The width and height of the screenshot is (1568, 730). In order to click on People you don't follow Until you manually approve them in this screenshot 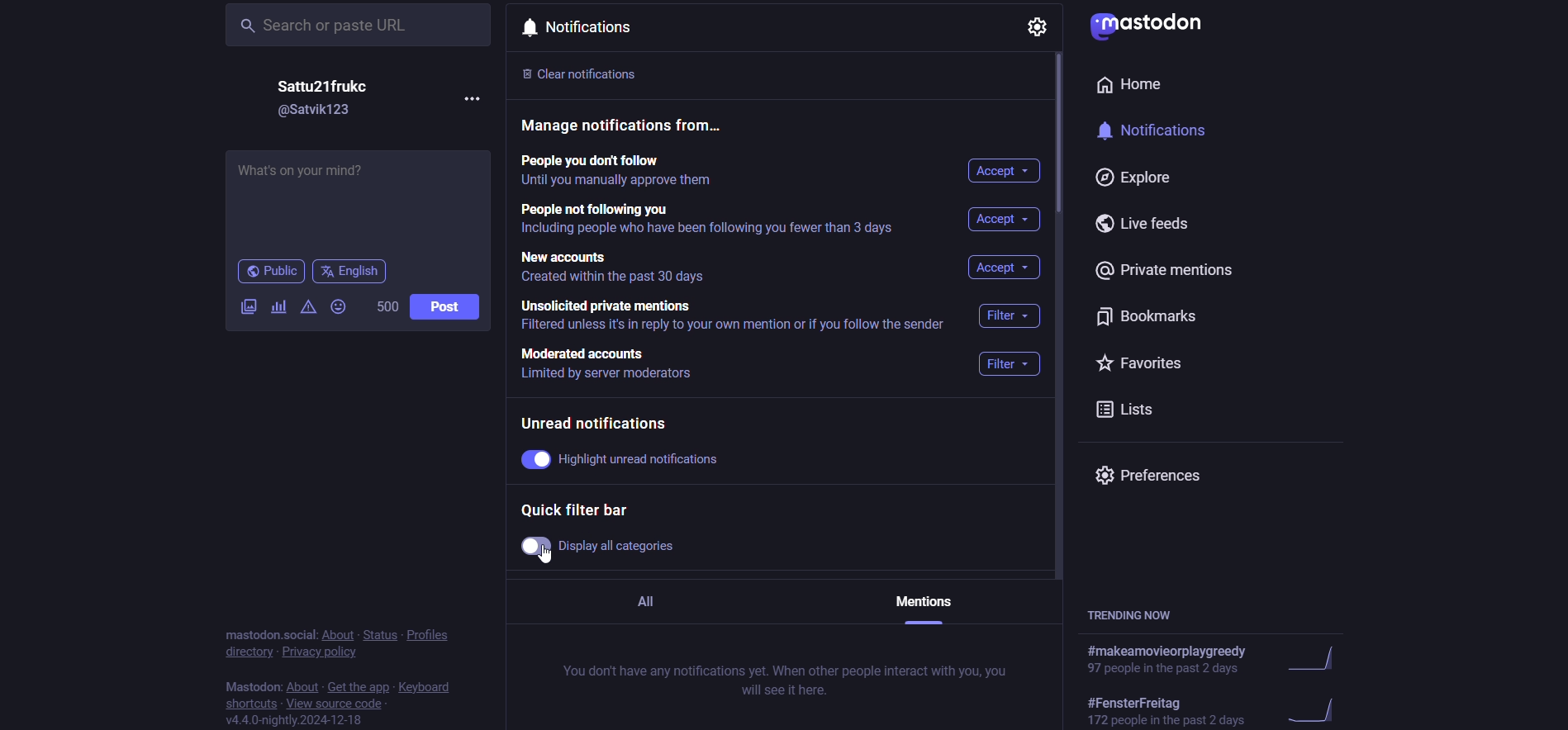, I will do `click(622, 172)`.